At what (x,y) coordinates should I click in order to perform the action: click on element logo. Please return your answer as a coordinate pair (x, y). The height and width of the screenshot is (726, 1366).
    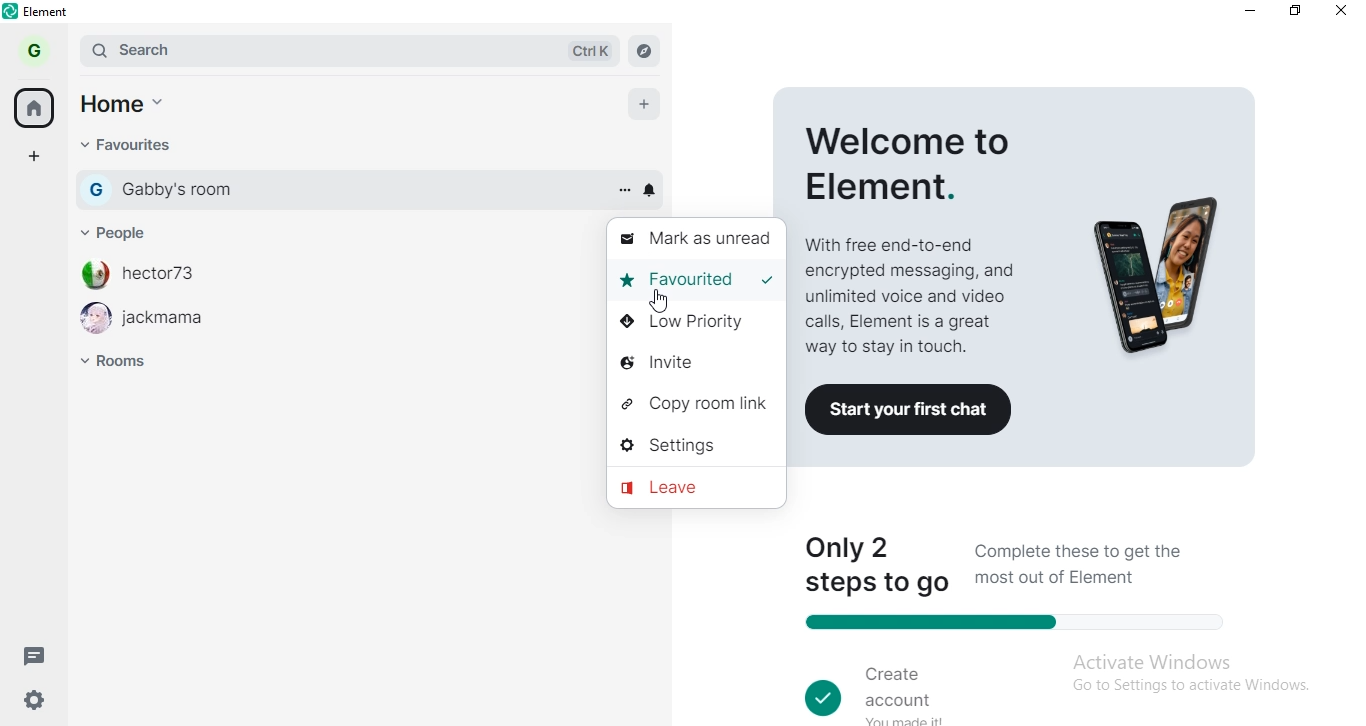
    Looking at the image, I should click on (11, 11).